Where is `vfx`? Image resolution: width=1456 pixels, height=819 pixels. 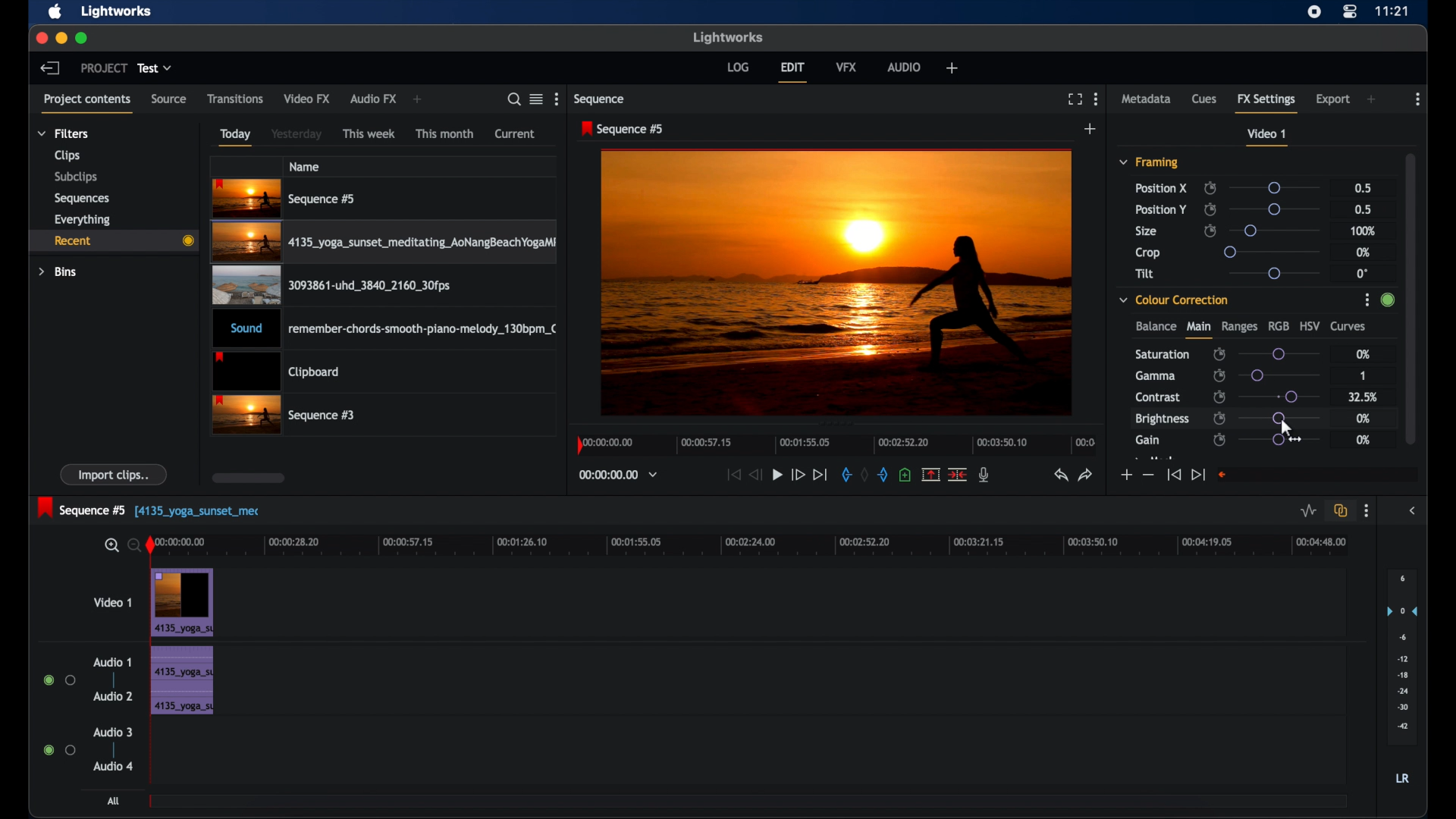
vfx is located at coordinates (846, 66).